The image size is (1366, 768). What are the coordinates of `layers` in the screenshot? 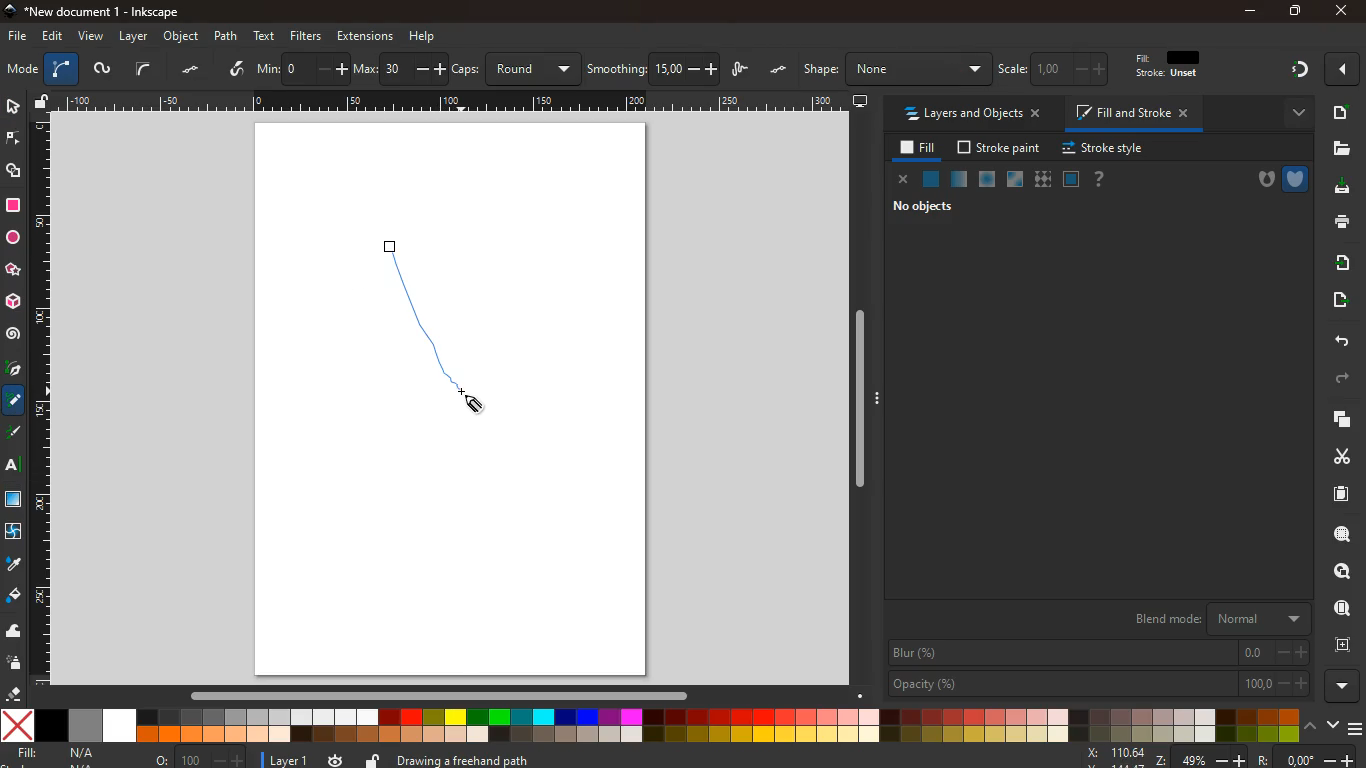 It's located at (1335, 419).